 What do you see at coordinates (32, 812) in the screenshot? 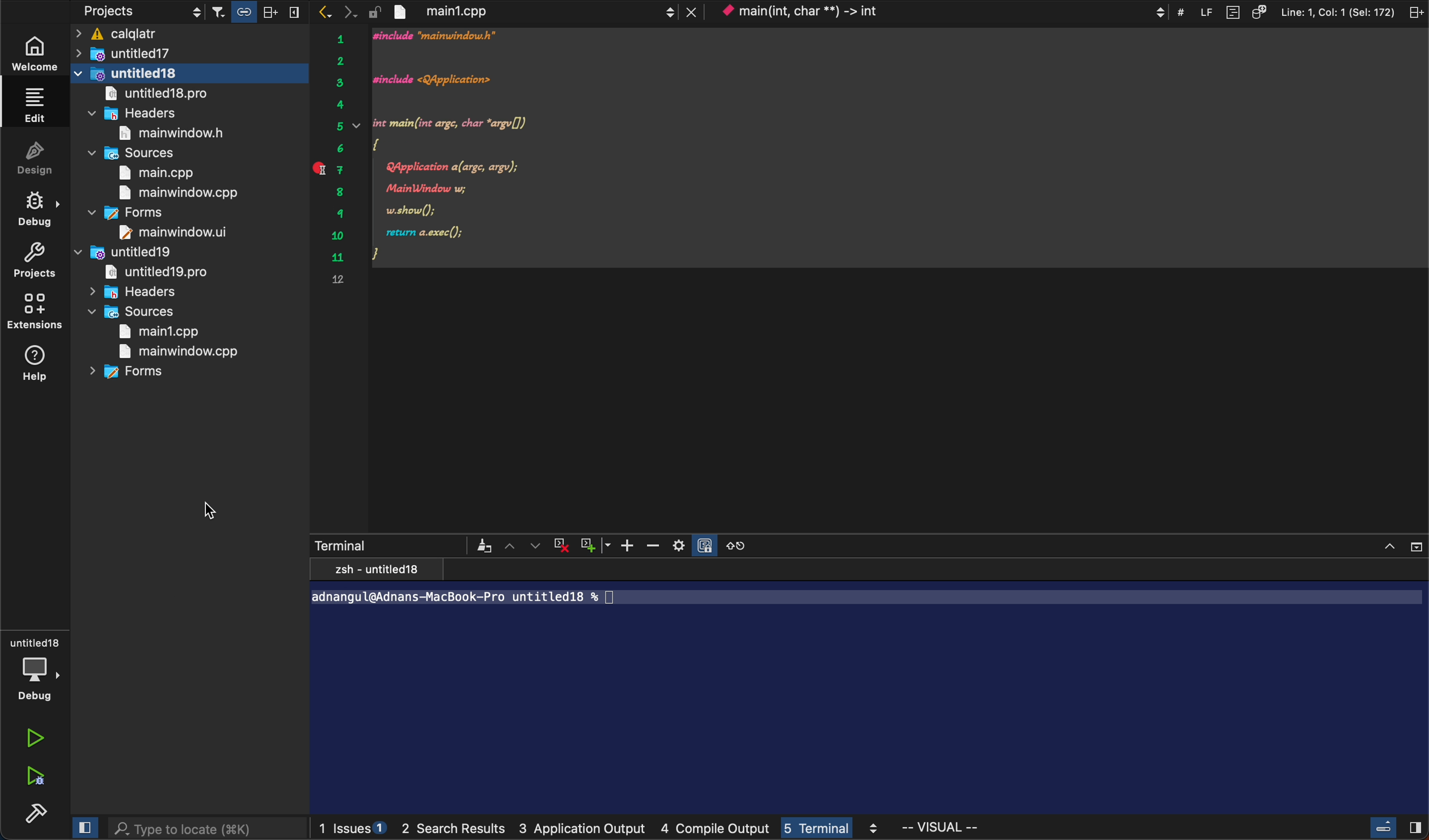
I see `build` at bounding box center [32, 812].